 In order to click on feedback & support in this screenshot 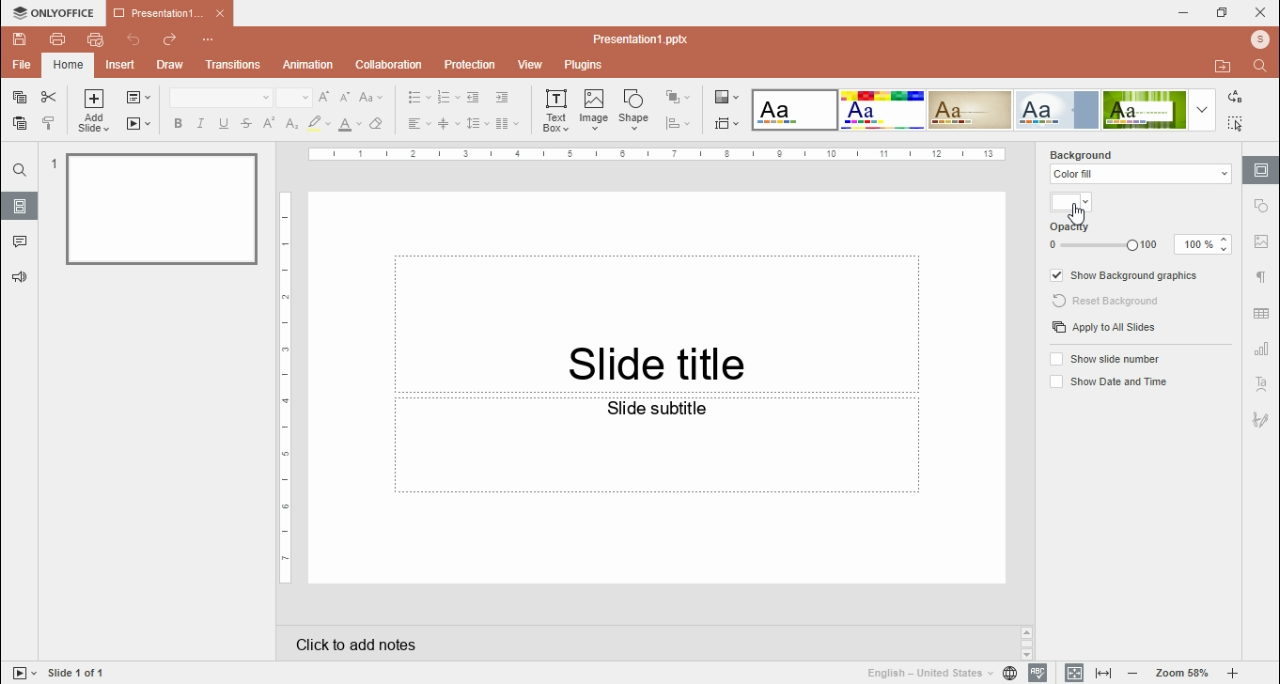, I will do `click(17, 277)`.